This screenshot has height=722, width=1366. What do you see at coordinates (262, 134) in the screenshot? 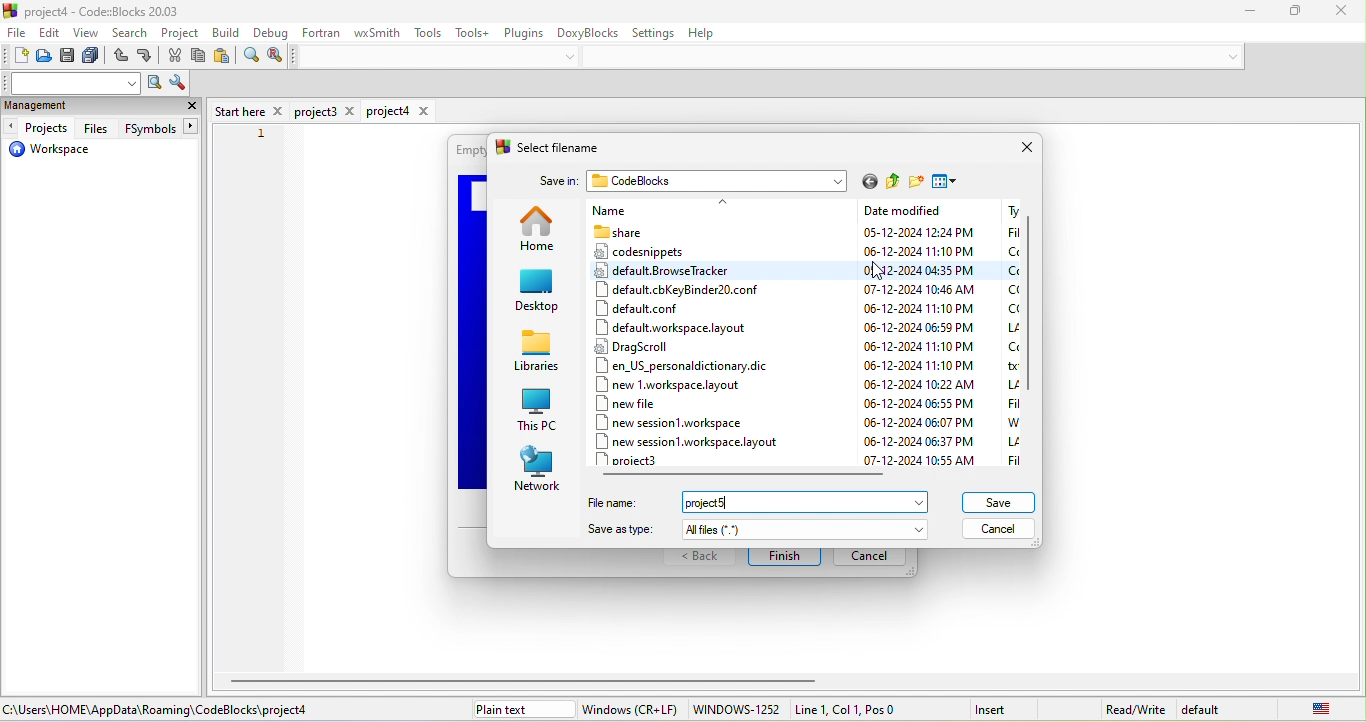
I see `1` at bounding box center [262, 134].